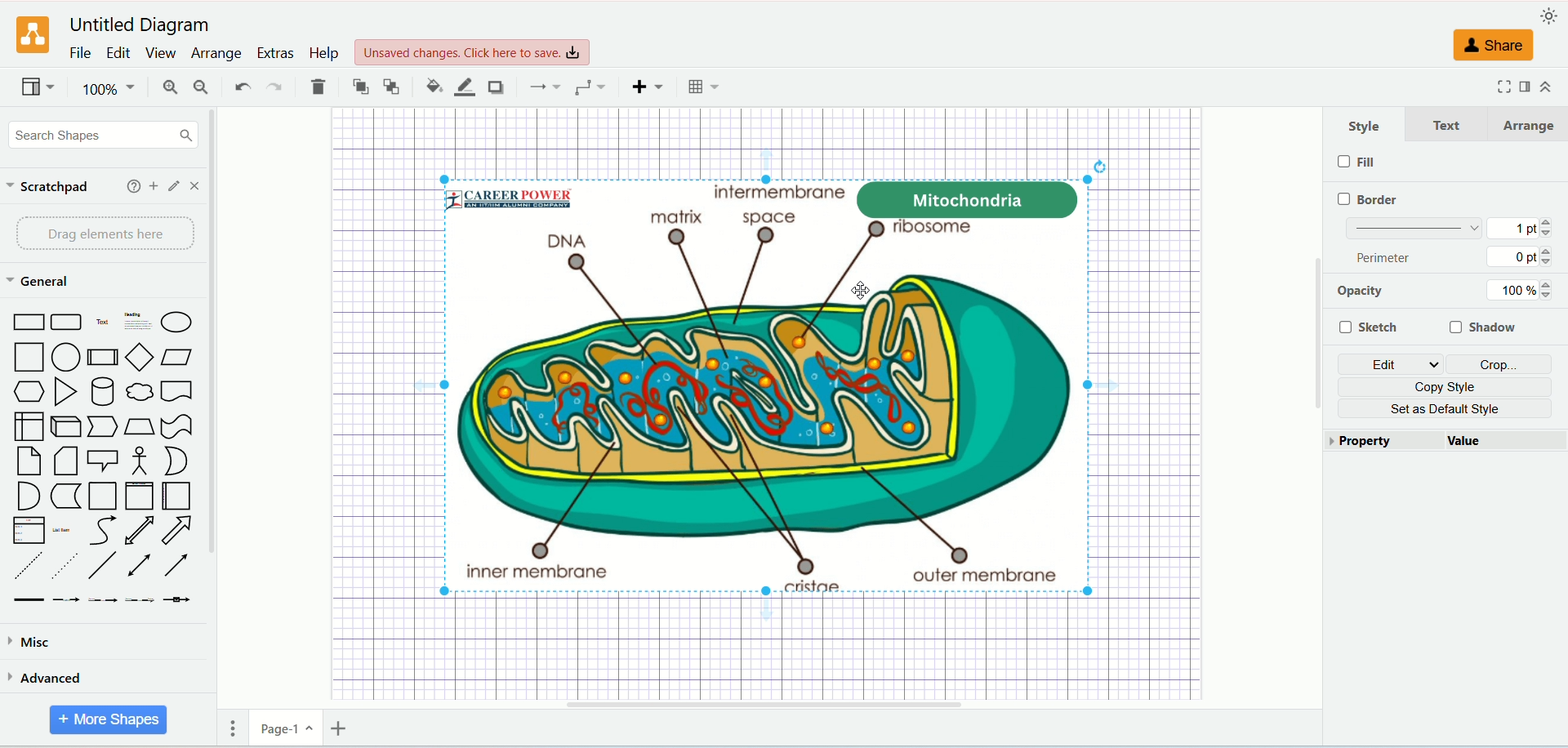 Image resolution: width=1568 pixels, height=748 pixels. I want to click on share, so click(1494, 46).